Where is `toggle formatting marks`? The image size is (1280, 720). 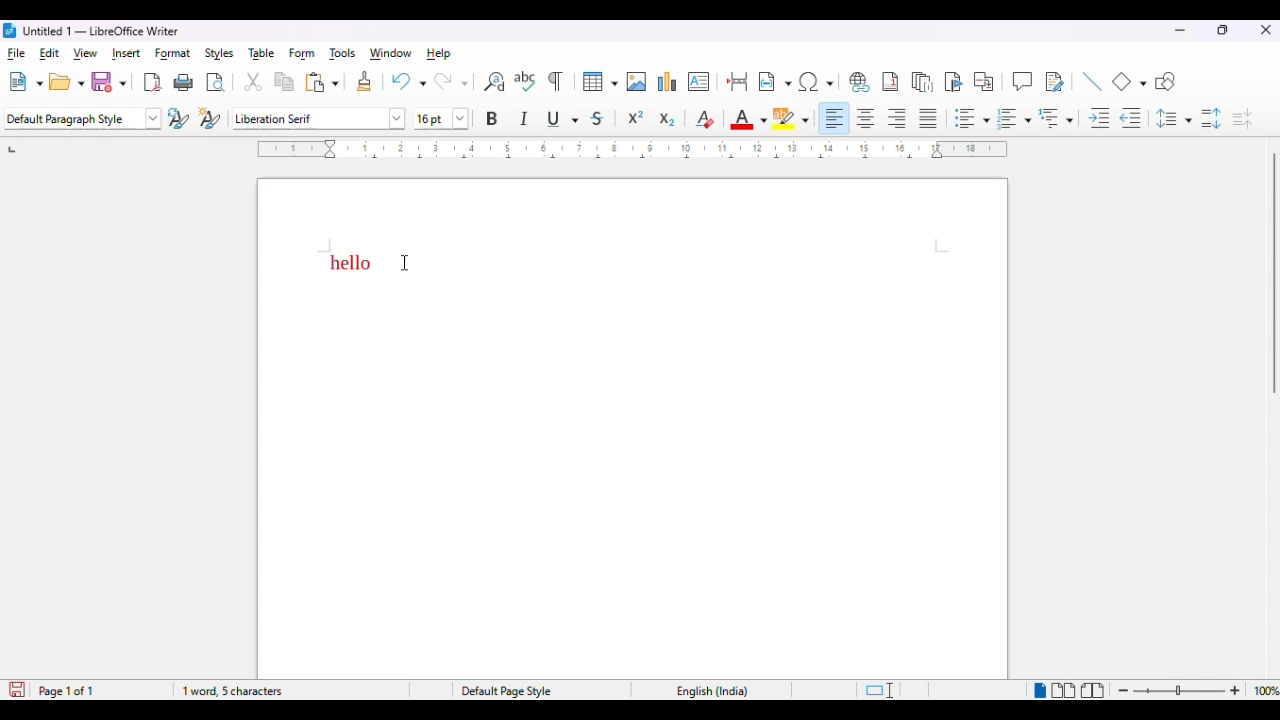 toggle formatting marks is located at coordinates (555, 81).